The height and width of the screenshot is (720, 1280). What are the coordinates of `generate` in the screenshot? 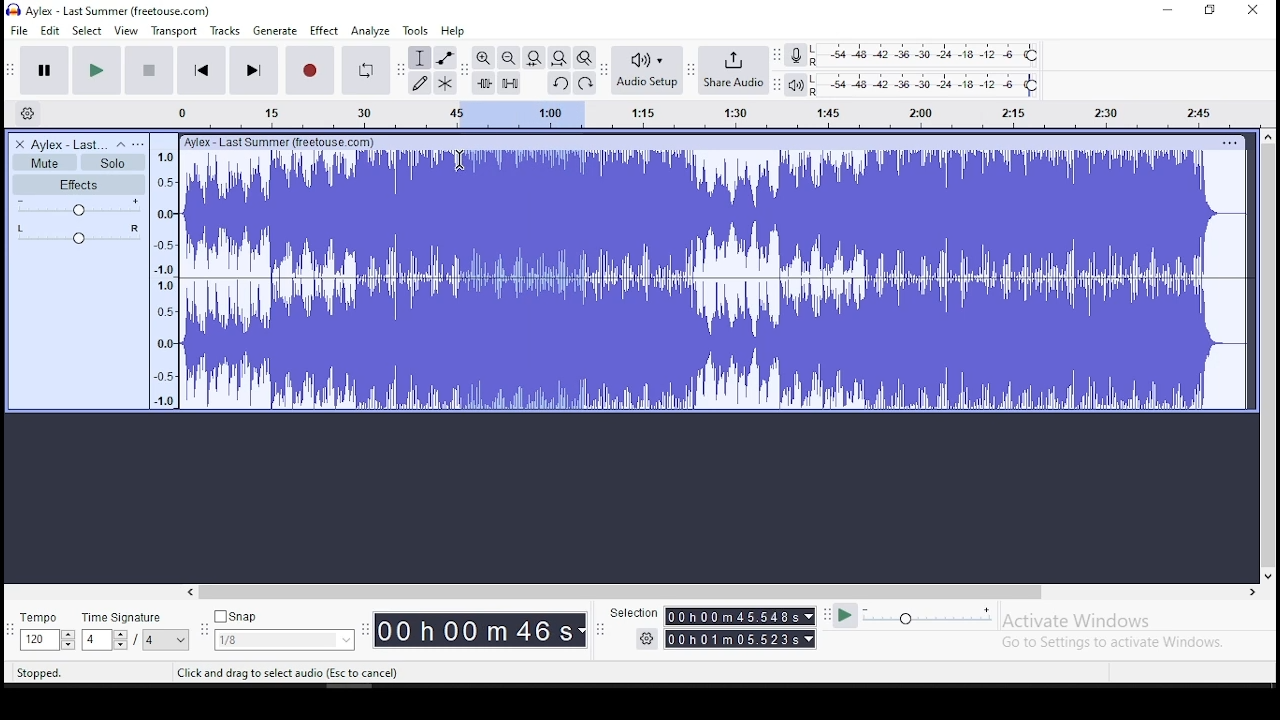 It's located at (276, 31).